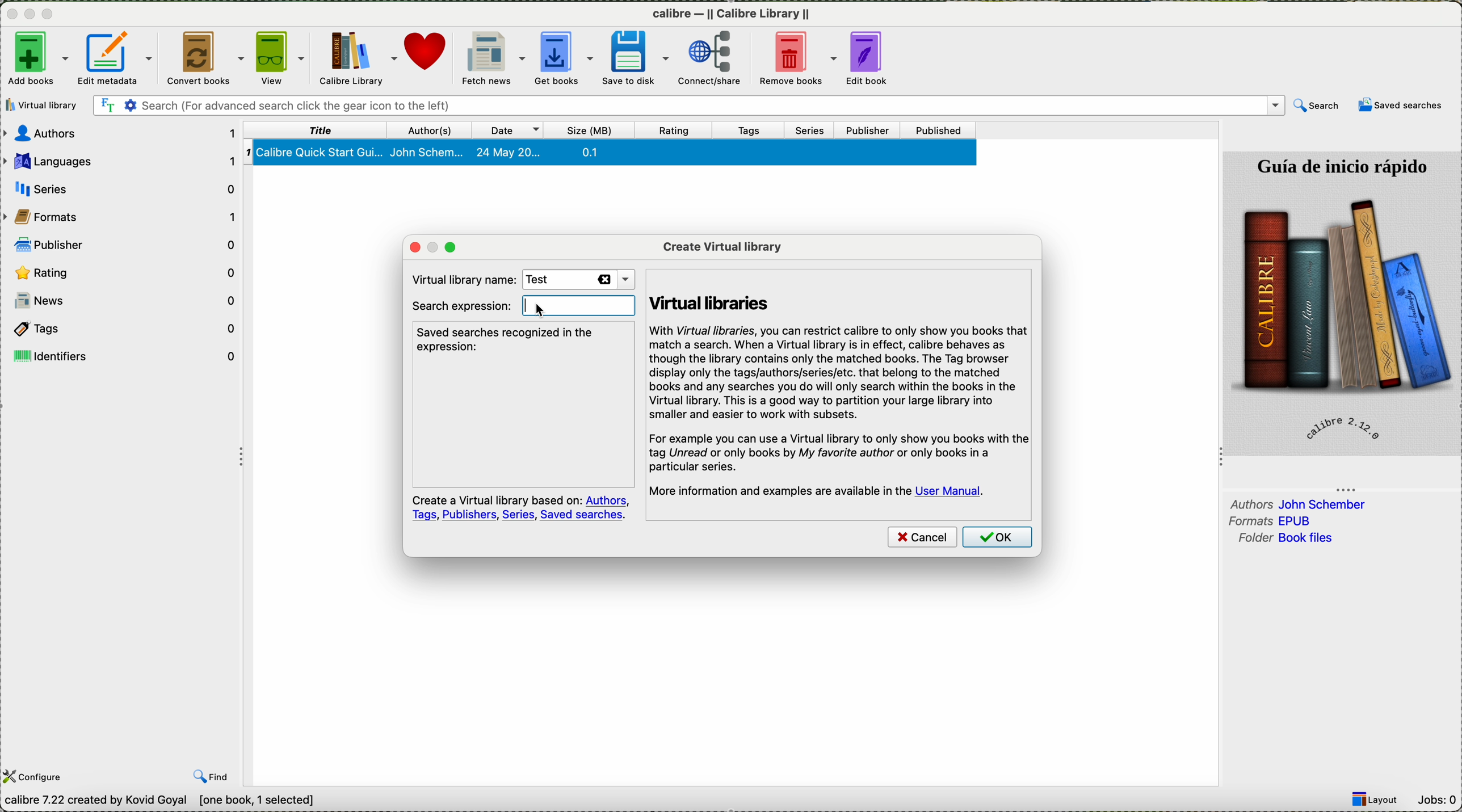 This screenshot has width=1462, height=812. Describe the element at coordinates (749, 129) in the screenshot. I see `tags` at that location.